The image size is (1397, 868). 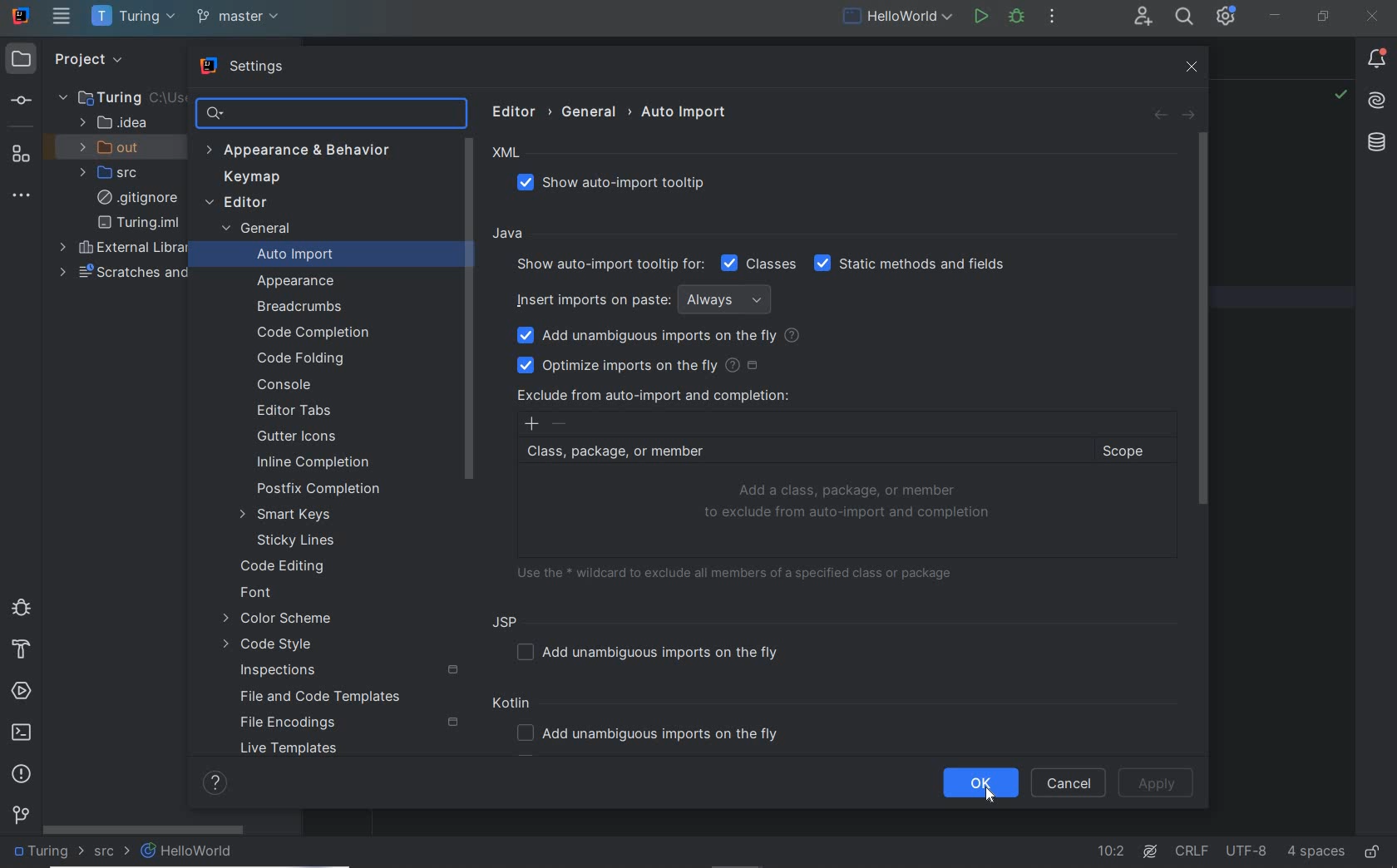 I want to click on no problems, so click(x=1340, y=96).